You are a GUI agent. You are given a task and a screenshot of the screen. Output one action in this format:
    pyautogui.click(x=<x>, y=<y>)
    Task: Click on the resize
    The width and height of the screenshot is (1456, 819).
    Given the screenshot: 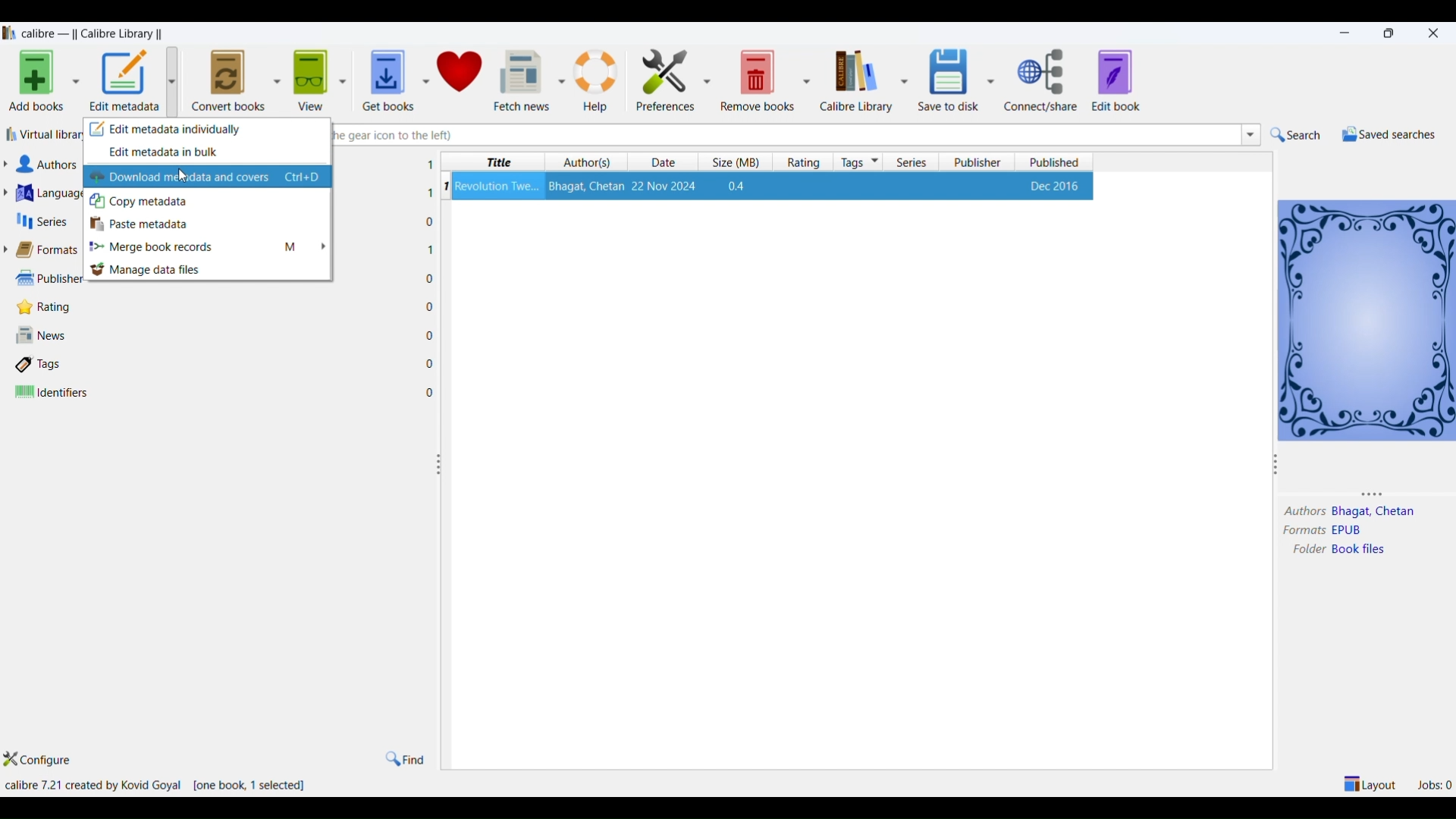 What is the action you would take?
    pyautogui.click(x=438, y=465)
    